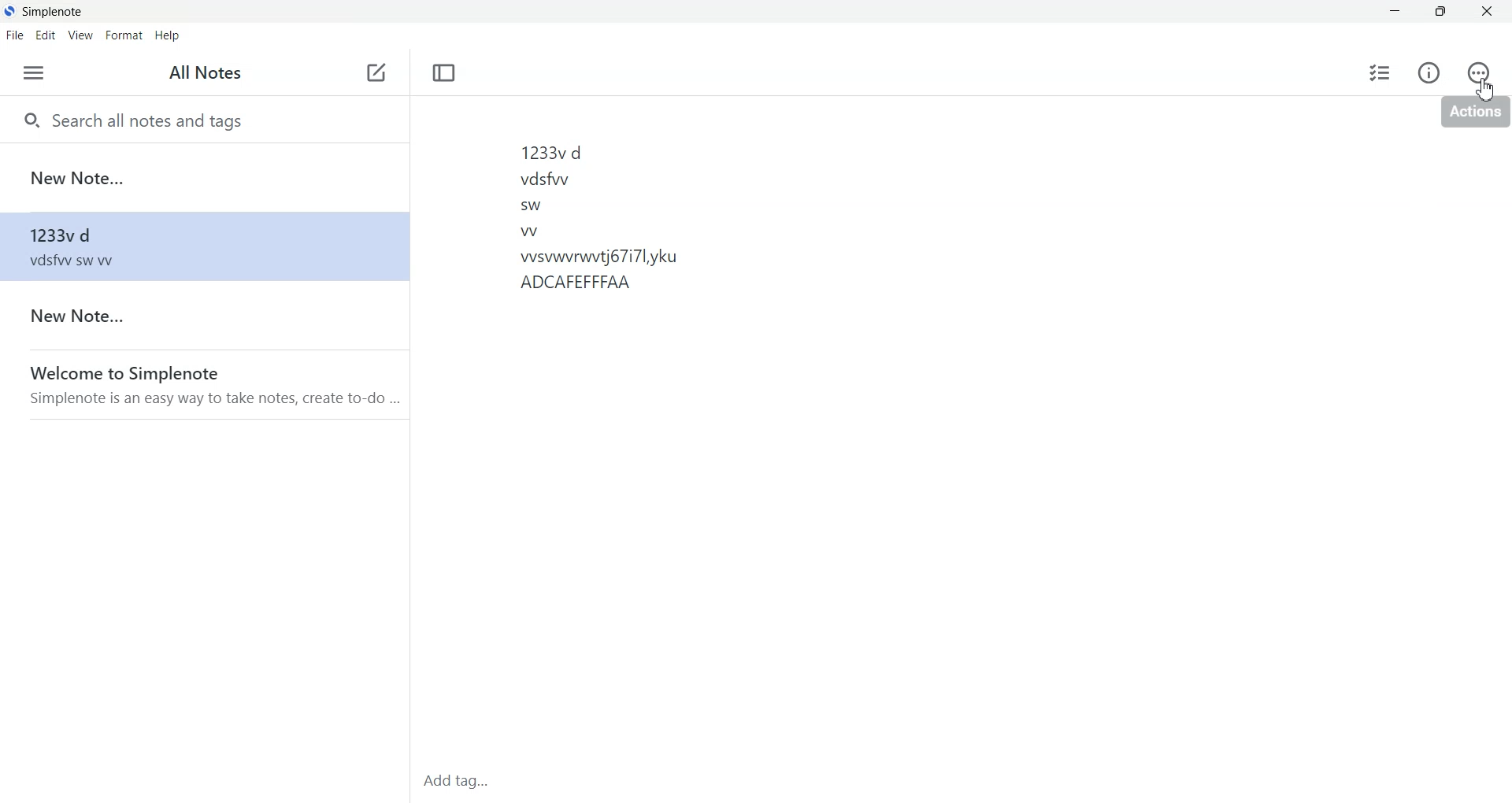  Describe the element at coordinates (1380, 74) in the screenshot. I see `Insert Checklist` at that location.